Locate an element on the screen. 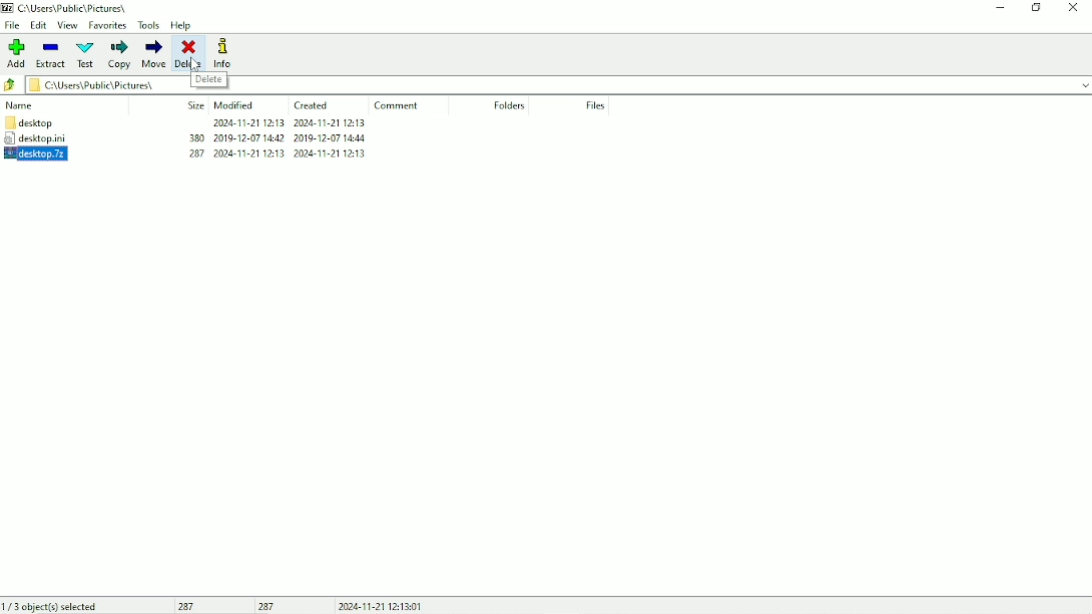 The height and width of the screenshot is (614, 1092). 7 zip logo is located at coordinates (8, 9).